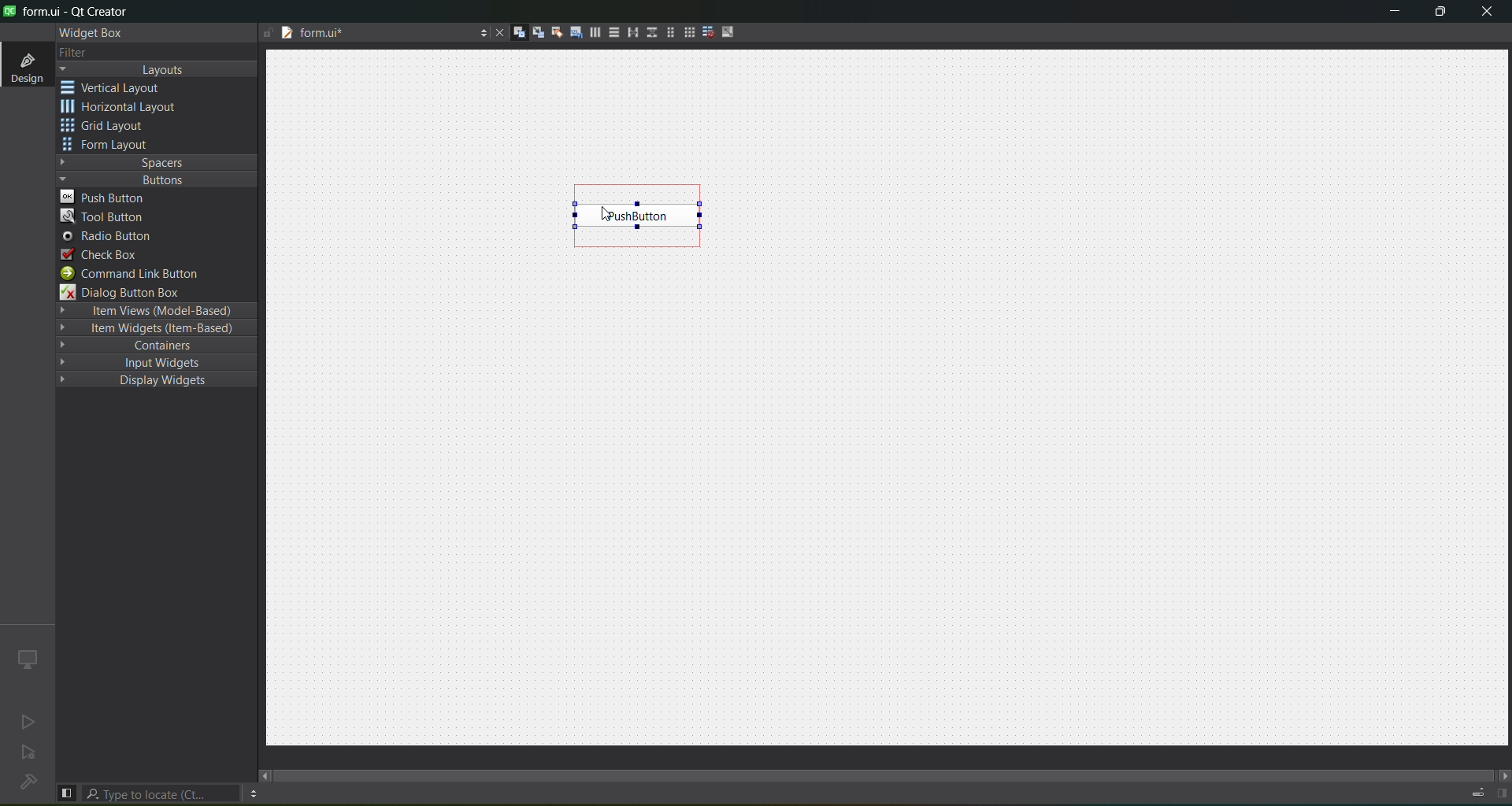  Describe the element at coordinates (29, 755) in the screenshot. I see `no active project` at that location.